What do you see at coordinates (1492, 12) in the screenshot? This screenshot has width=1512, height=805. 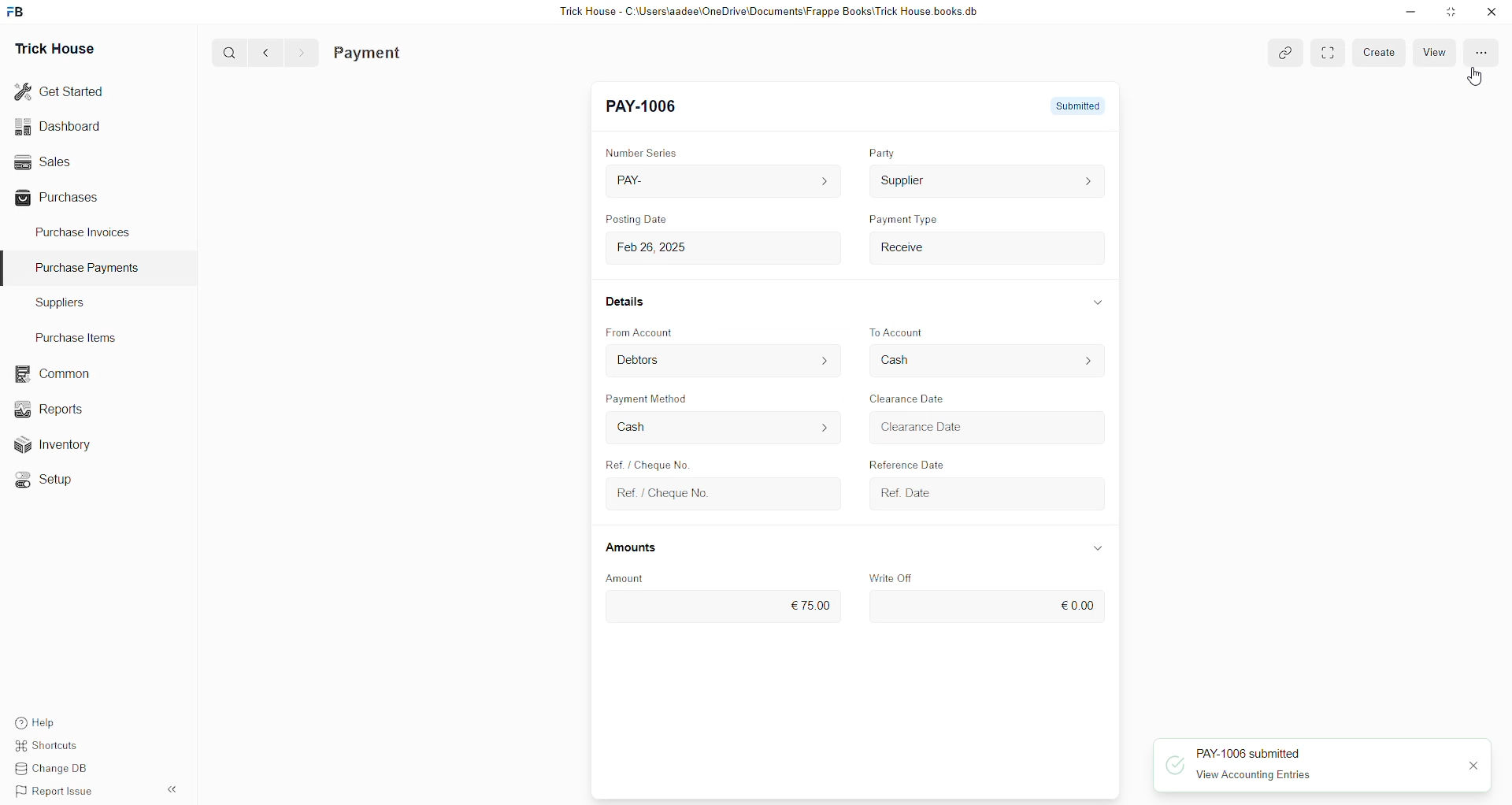 I see `close` at bounding box center [1492, 12].